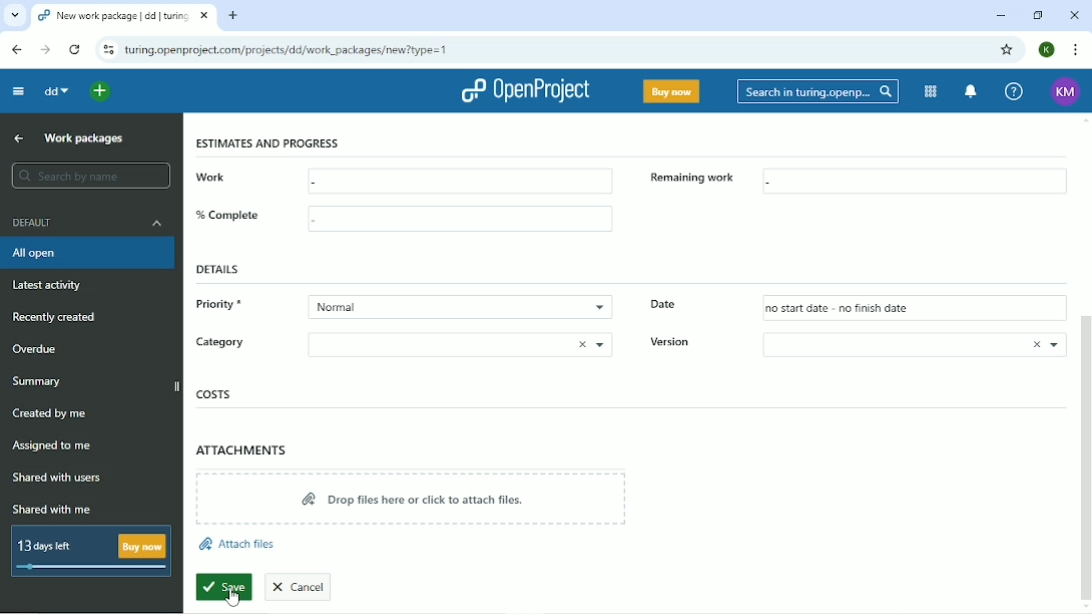 The height and width of the screenshot is (614, 1092). What do you see at coordinates (238, 18) in the screenshot?
I see `new tab` at bounding box center [238, 18].